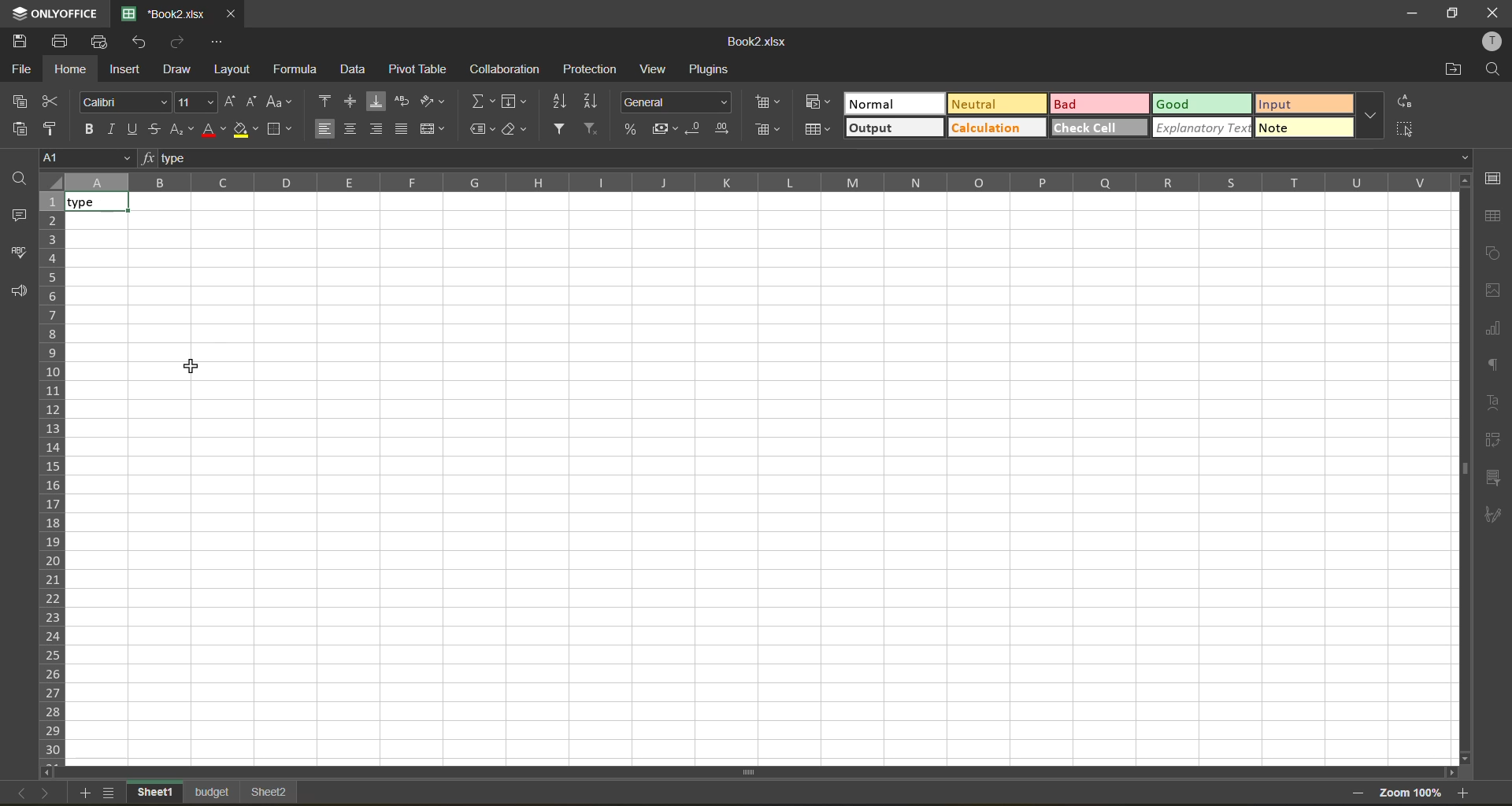 This screenshot has width=1512, height=806. What do you see at coordinates (808, 159) in the screenshot?
I see `formula bar` at bounding box center [808, 159].